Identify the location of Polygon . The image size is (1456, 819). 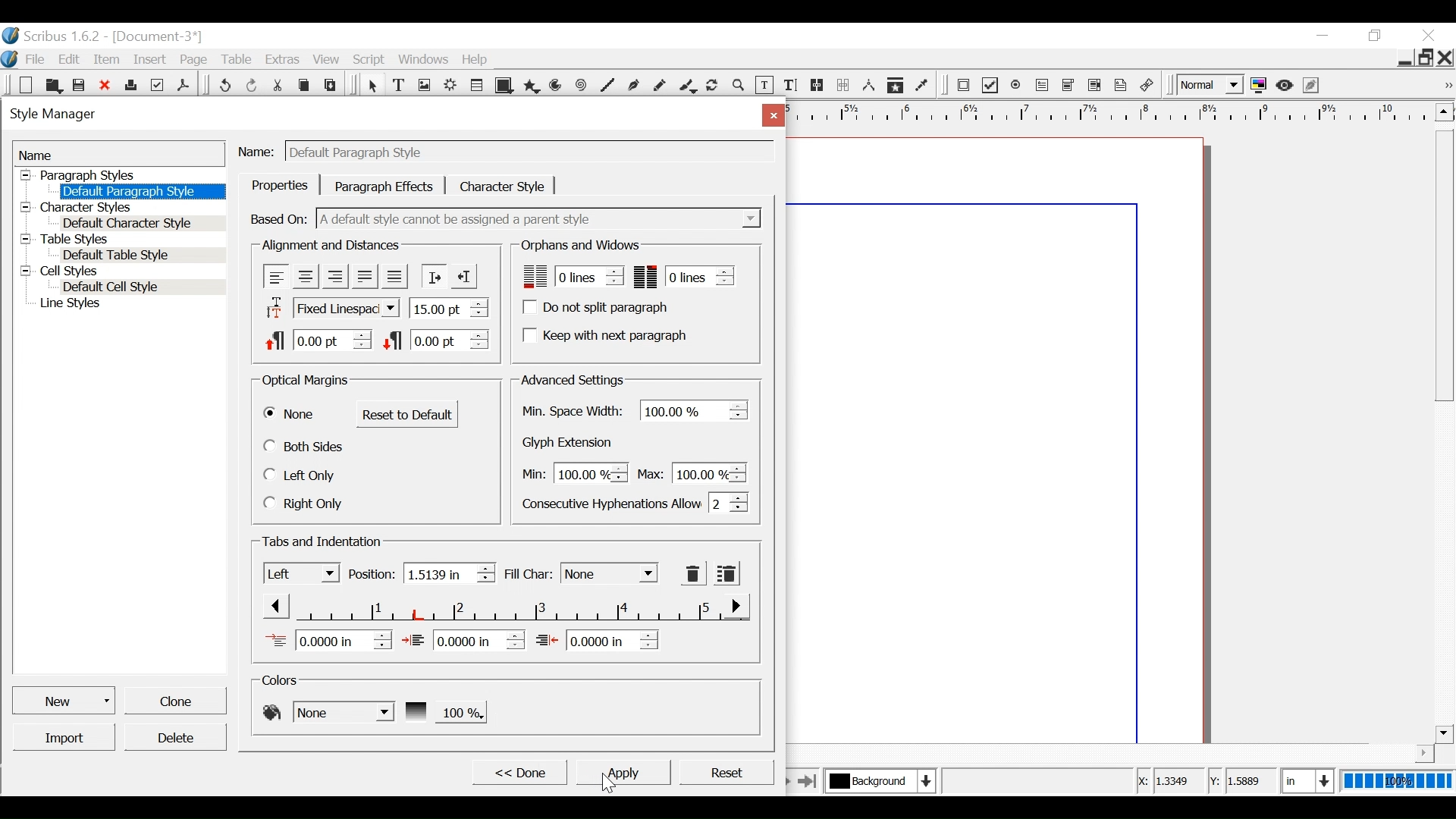
(532, 86).